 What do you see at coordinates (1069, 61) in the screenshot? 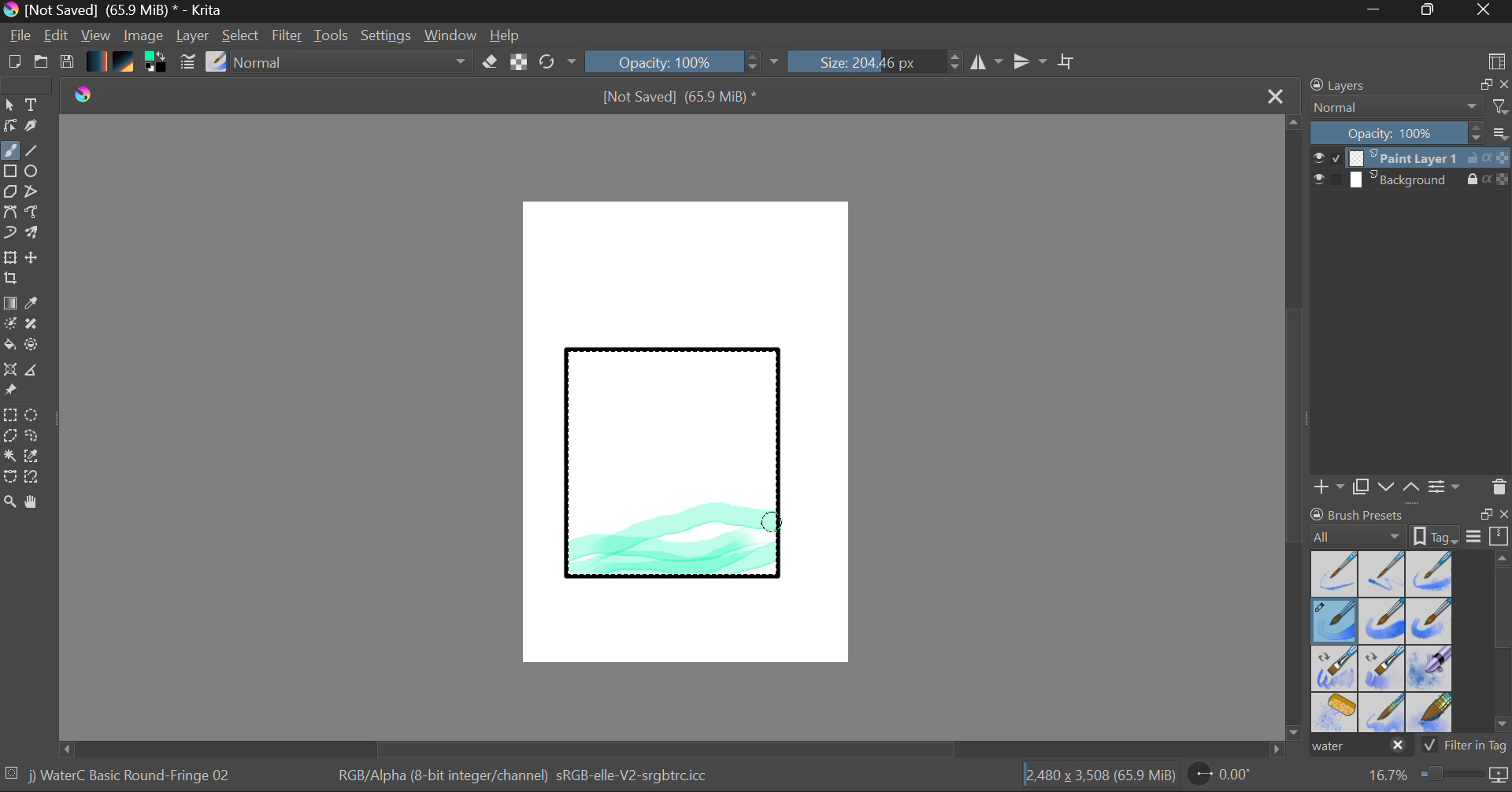
I see `Crop` at bounding box center [1069, 61].